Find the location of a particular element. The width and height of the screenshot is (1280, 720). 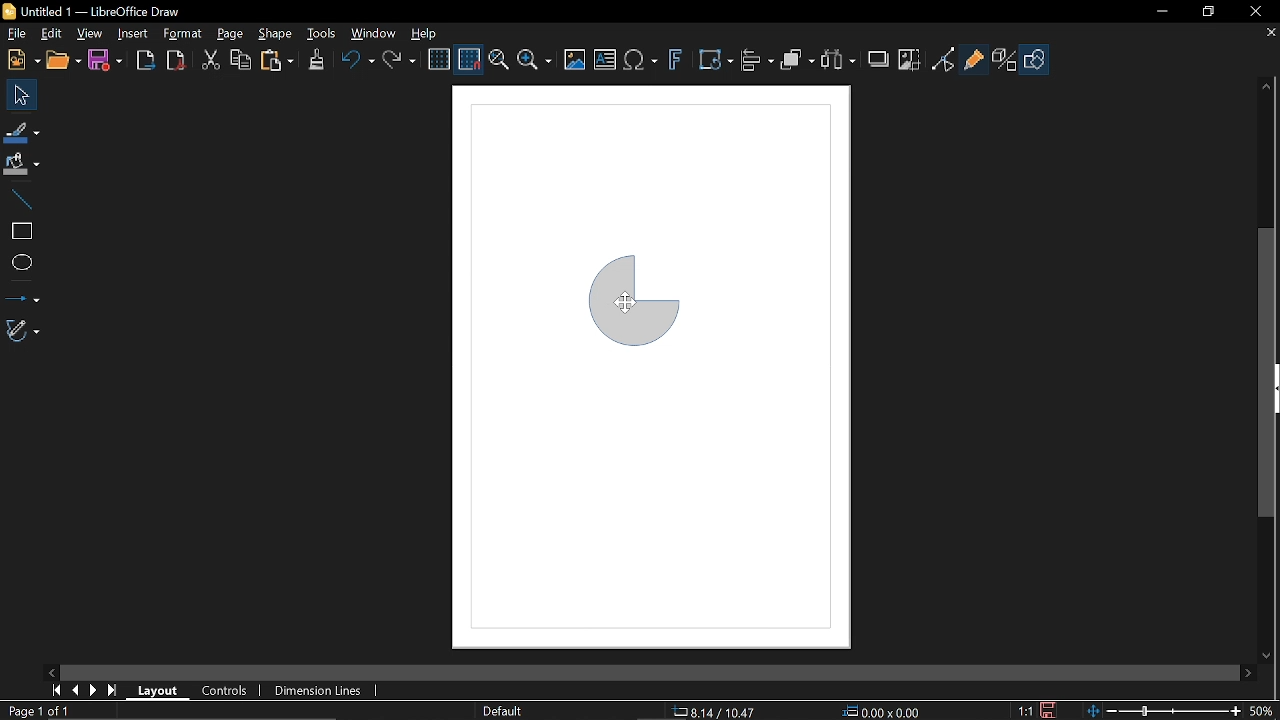

Controls is located at coordinates (223, 690).